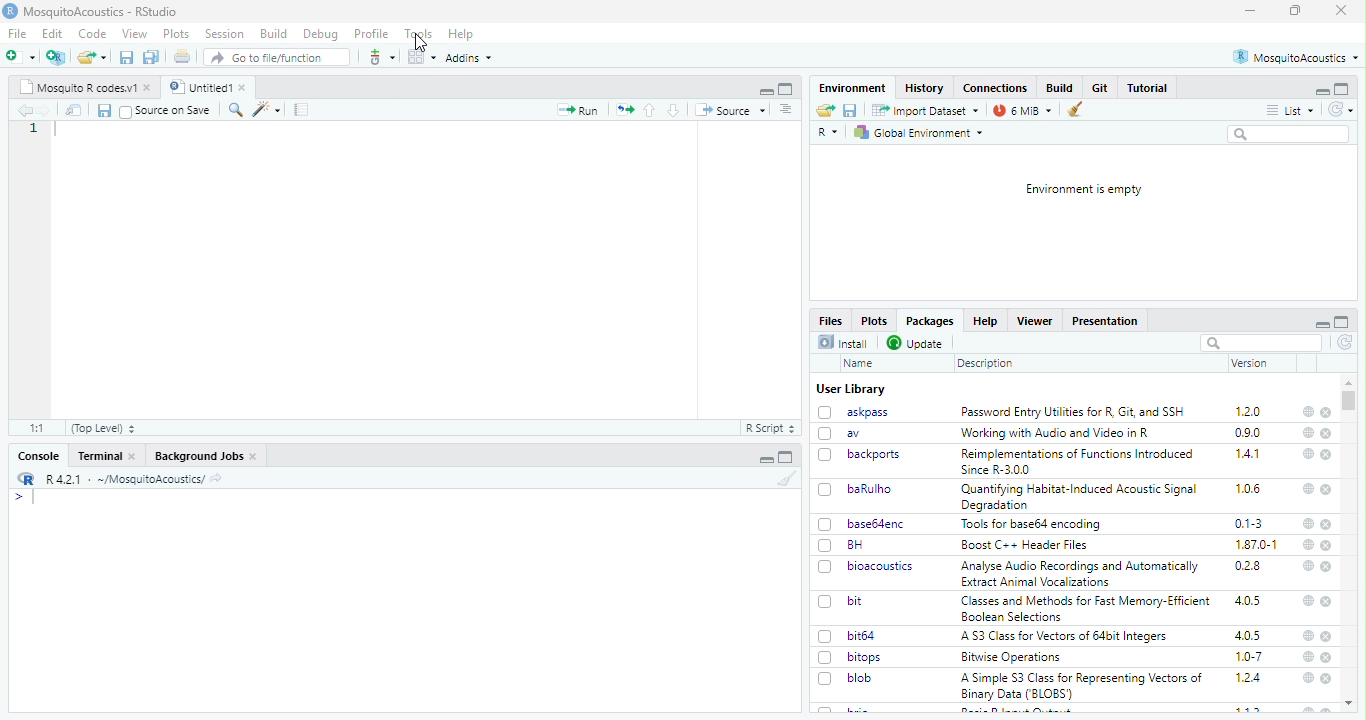 The image size is (1366, 720). Describe the element at coordinates (931, 321) in the screenshot. I see `Packages` at that location.